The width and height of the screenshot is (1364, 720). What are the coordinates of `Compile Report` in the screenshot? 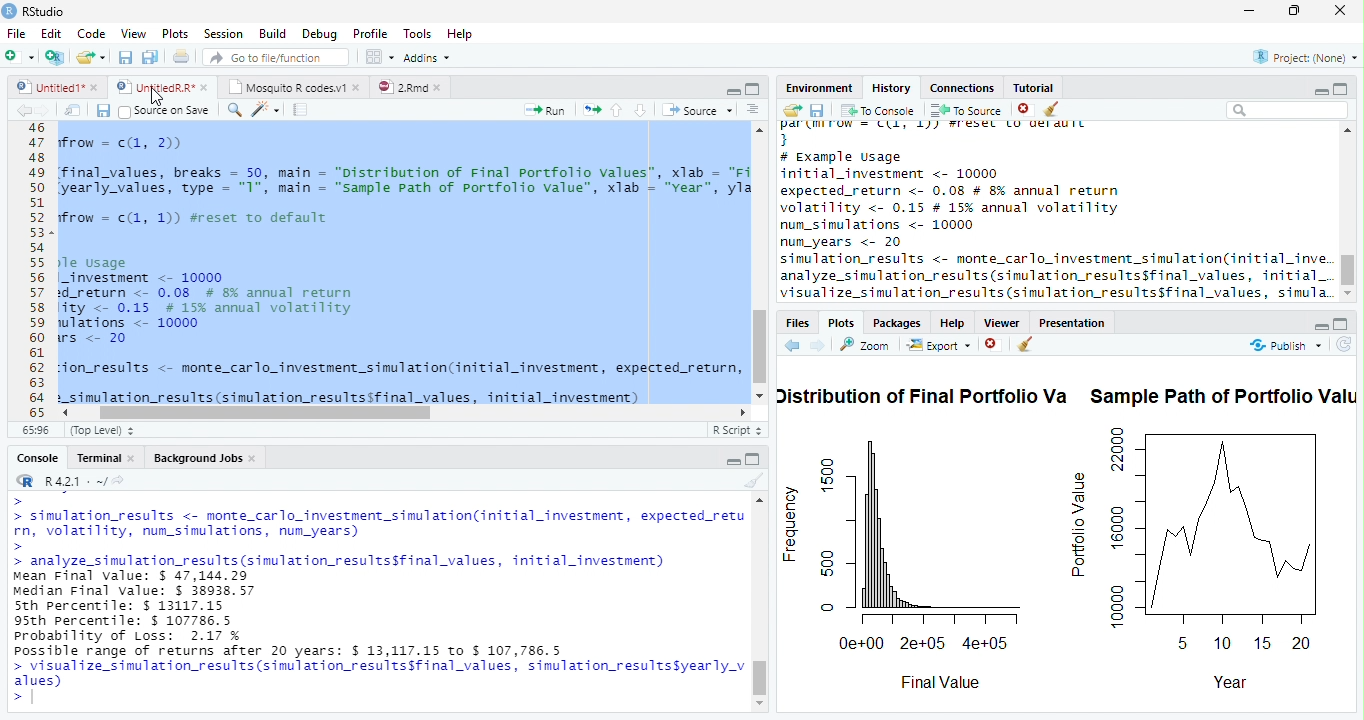 It's located at (303, 110).